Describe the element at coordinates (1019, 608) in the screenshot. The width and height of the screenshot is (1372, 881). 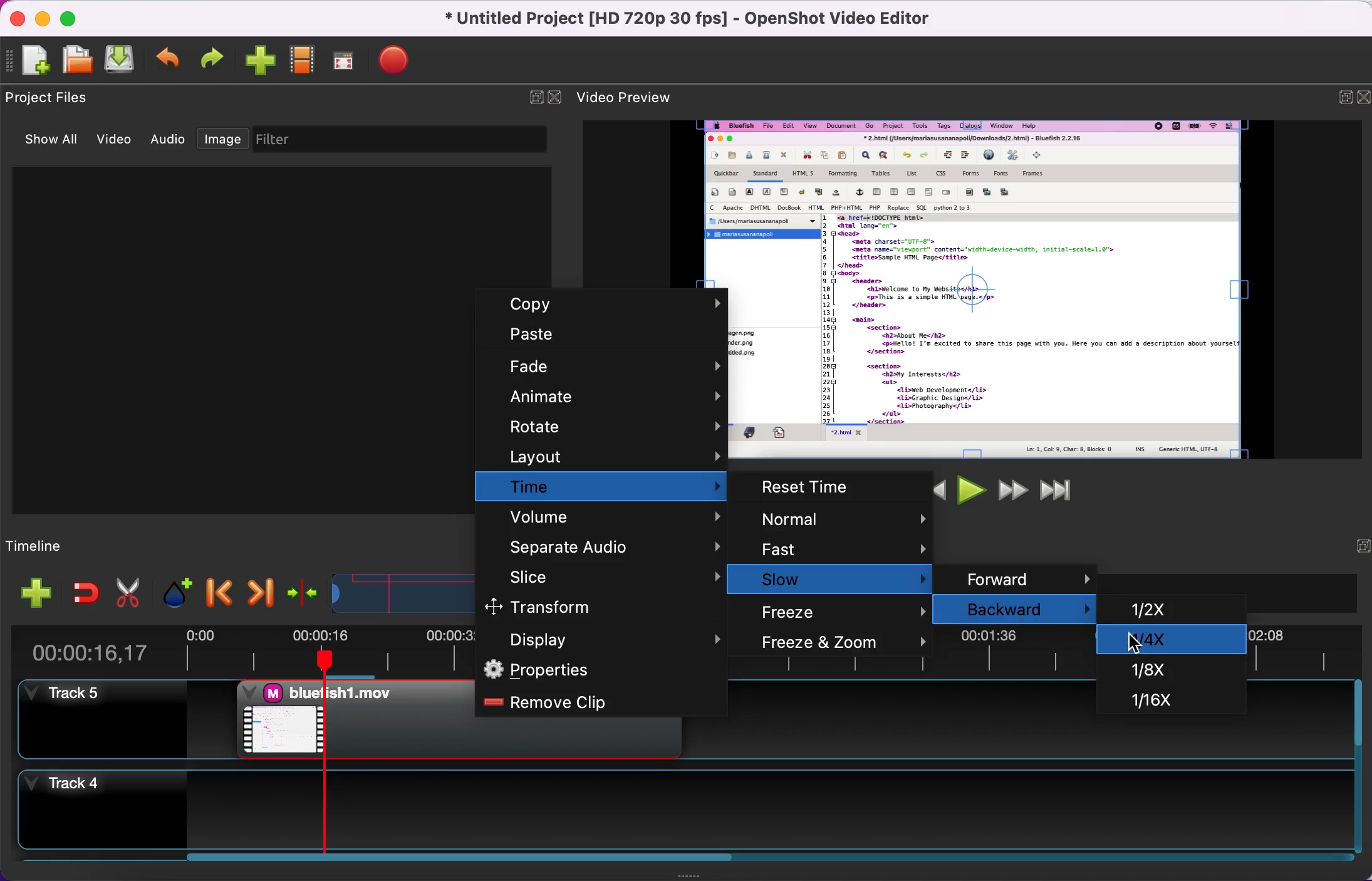
I see `backward` at that location.